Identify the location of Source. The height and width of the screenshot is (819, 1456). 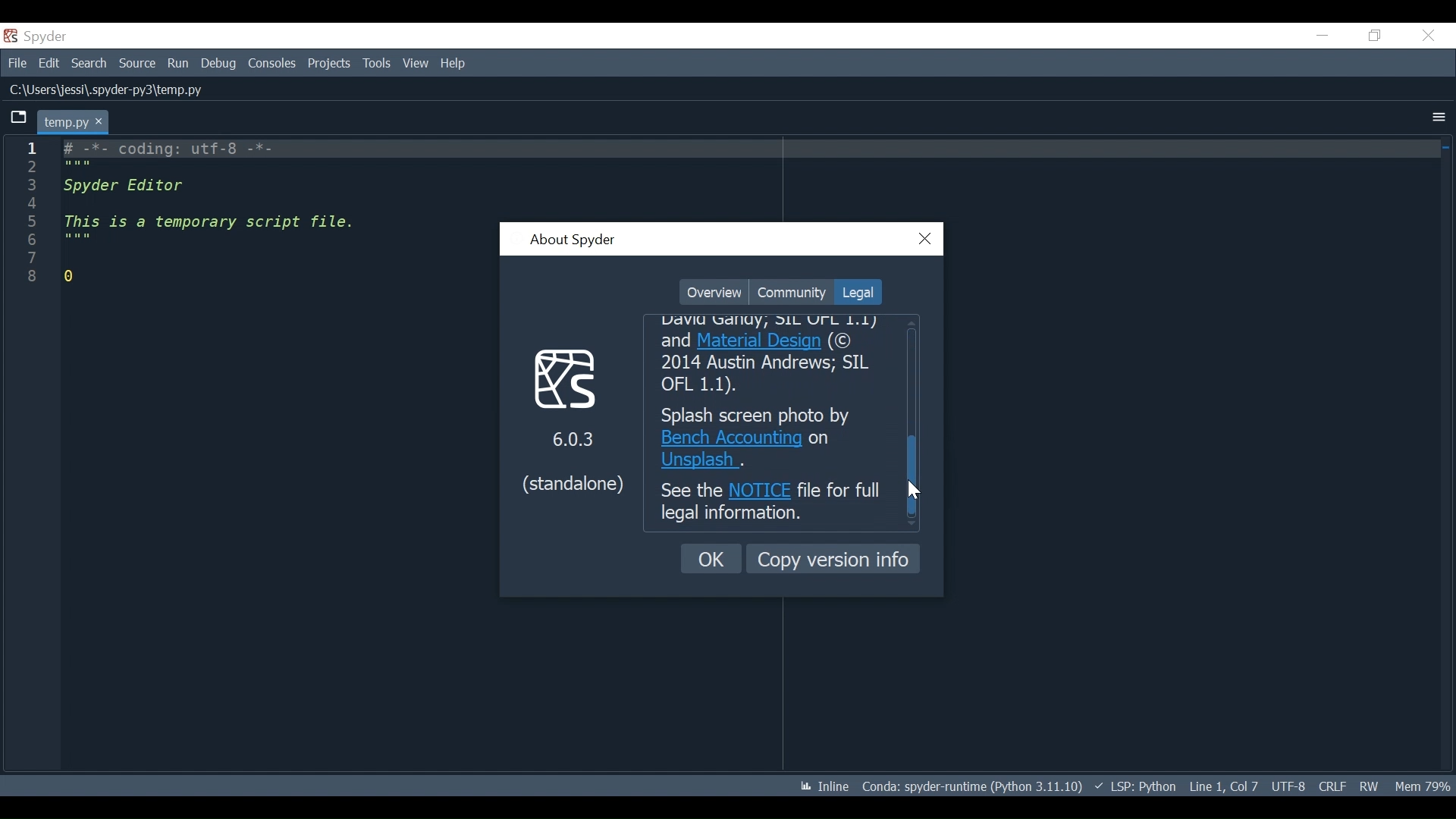
(137, 64).